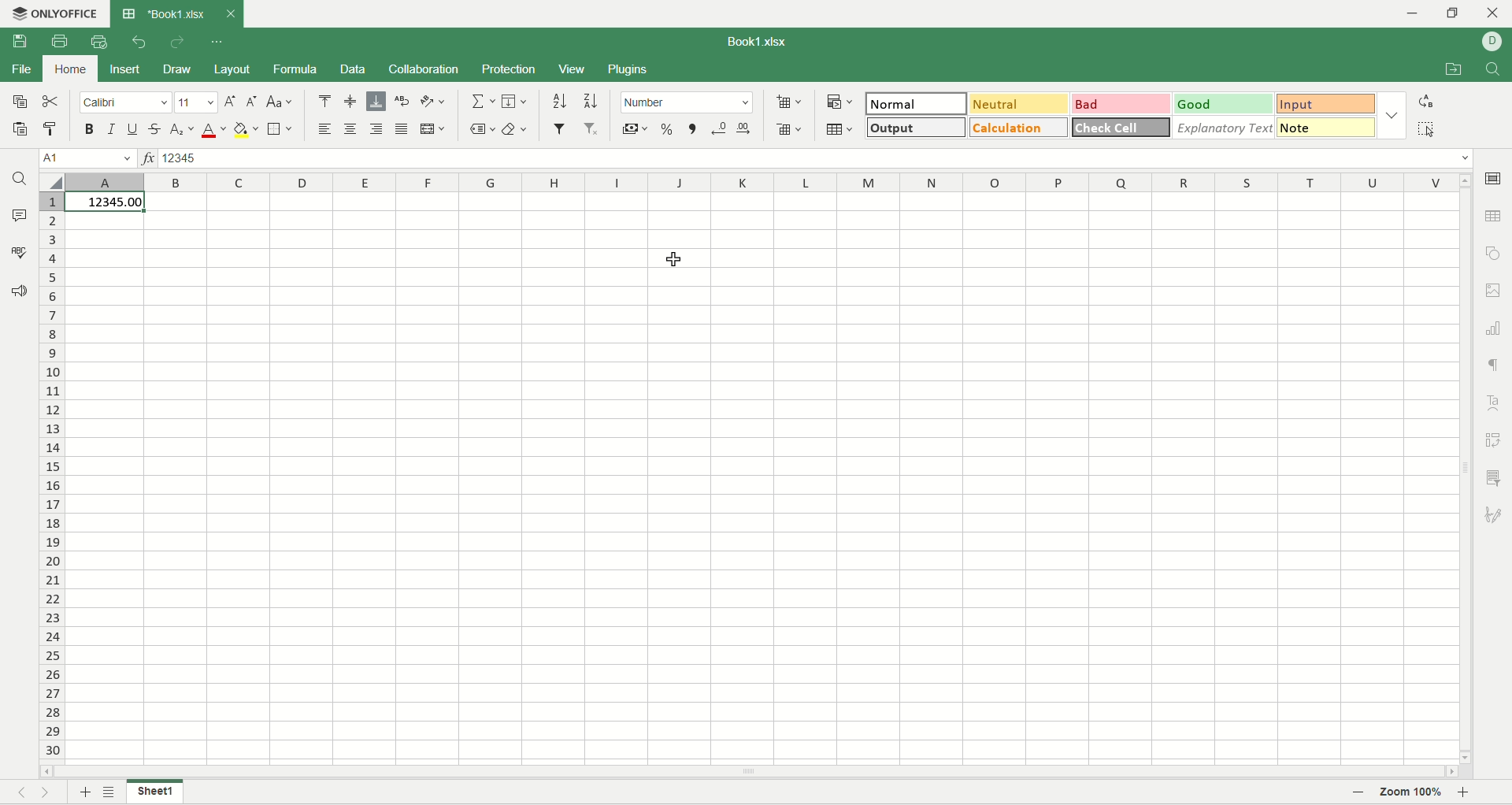 The image size is (1512, 805). What do you see at coordinates (163, 15) in the screenshot?
I see `document tab` at bounding box center [163, 15].